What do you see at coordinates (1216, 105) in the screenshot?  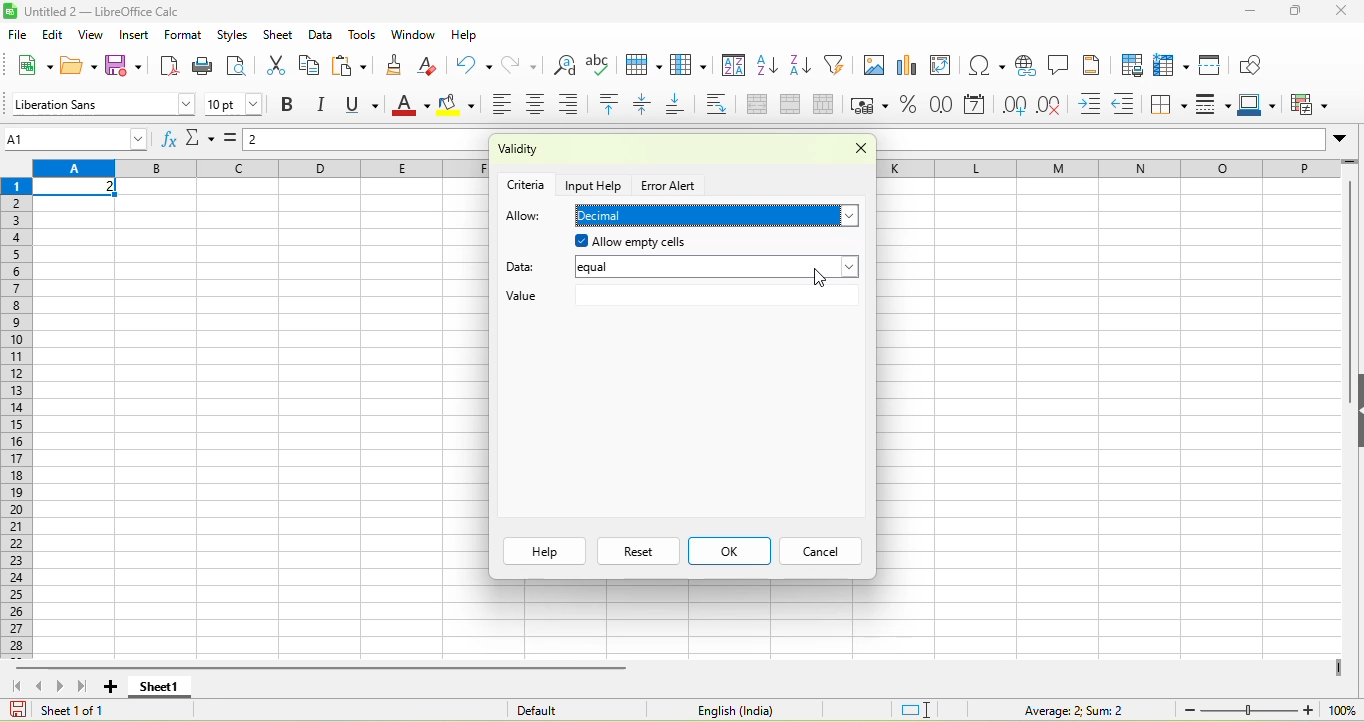 I see `border style` at bounding box center [1216, 105].